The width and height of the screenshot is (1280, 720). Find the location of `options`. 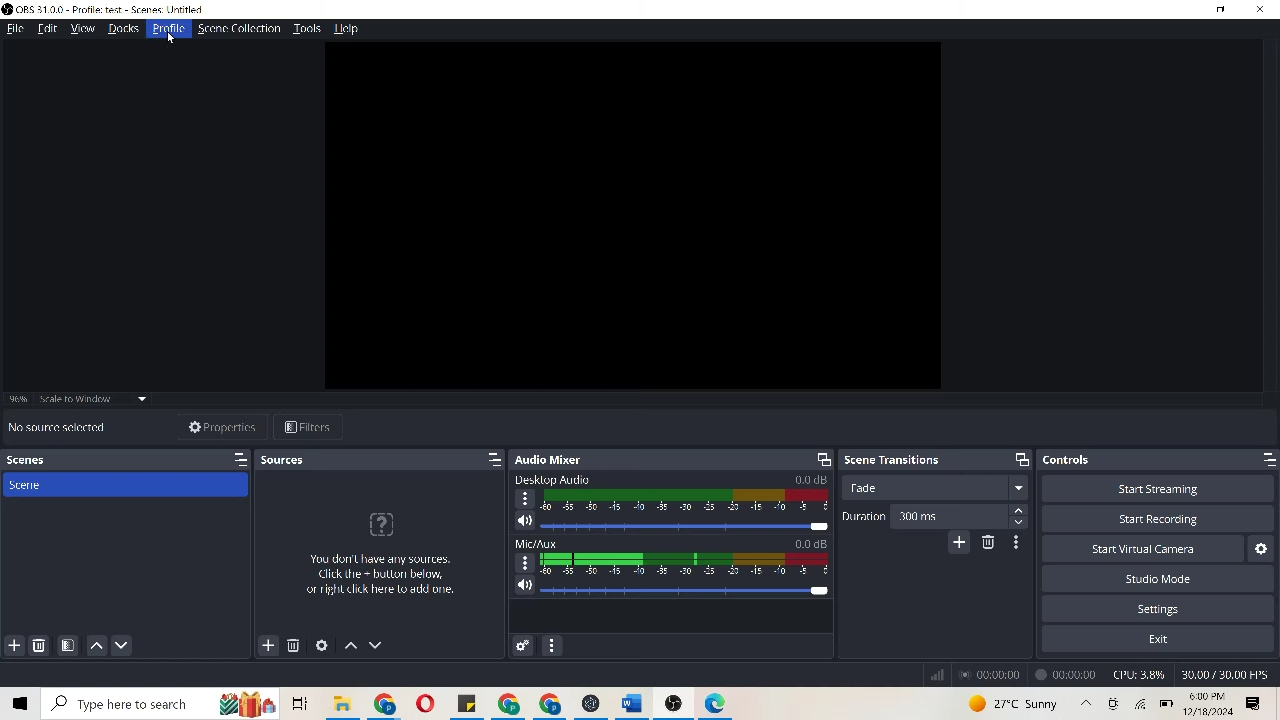

options is located at coordinates (1255, 703).